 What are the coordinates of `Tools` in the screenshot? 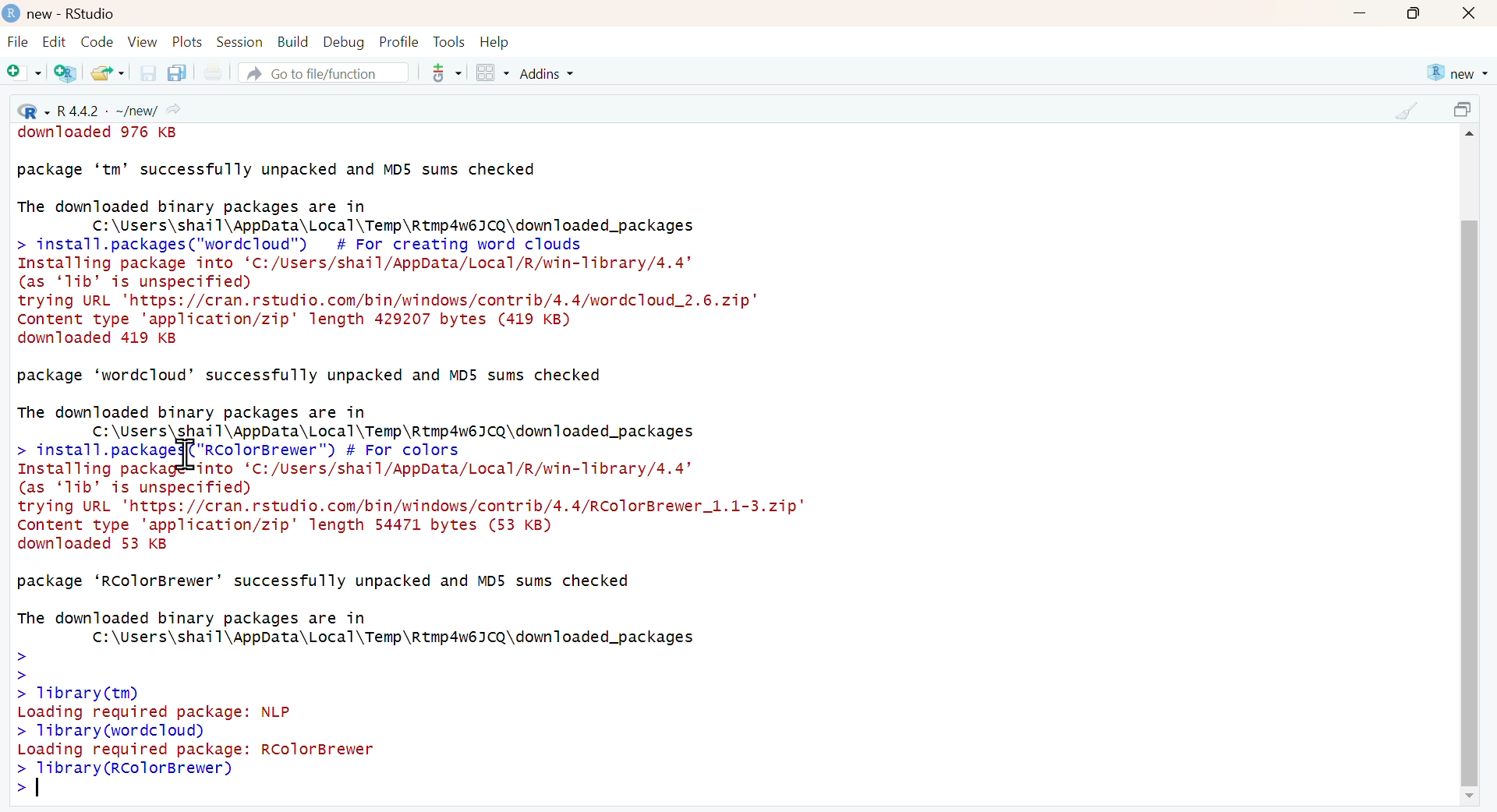 It's located at (451, 42).